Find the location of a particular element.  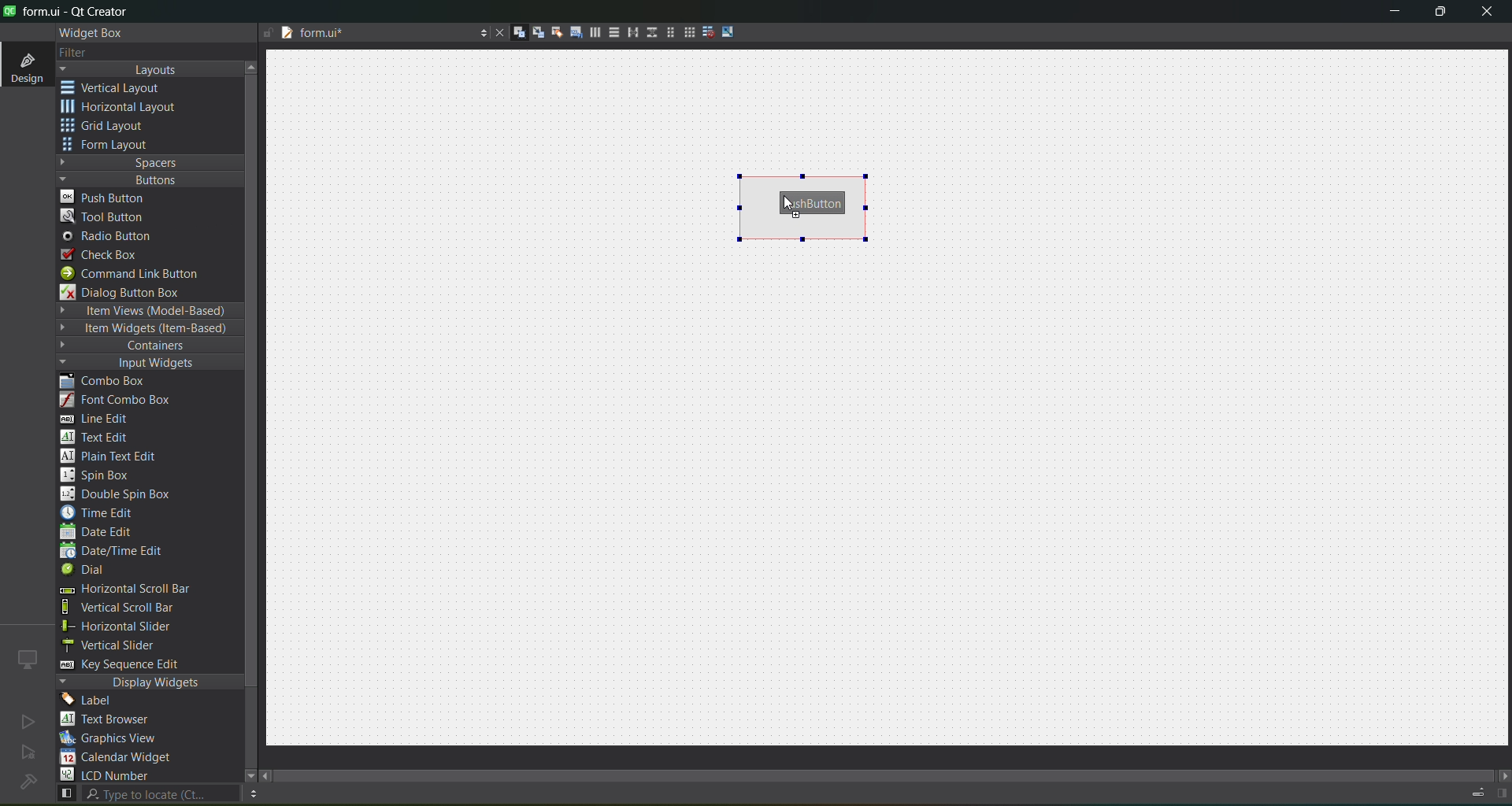

plain text edit is located at coordinates (115, 457).